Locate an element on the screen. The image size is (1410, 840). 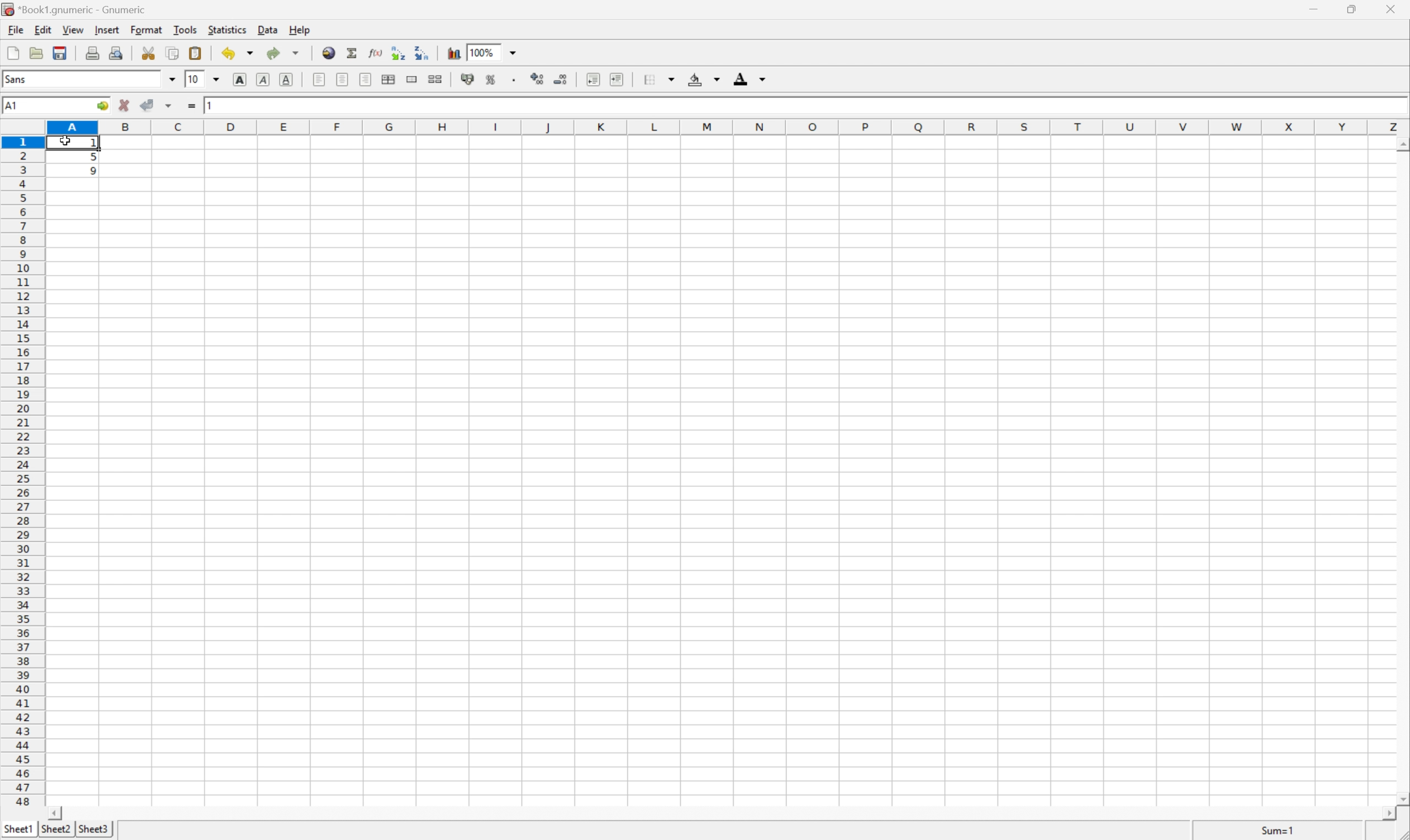
file is located at coordinates (14, 28).